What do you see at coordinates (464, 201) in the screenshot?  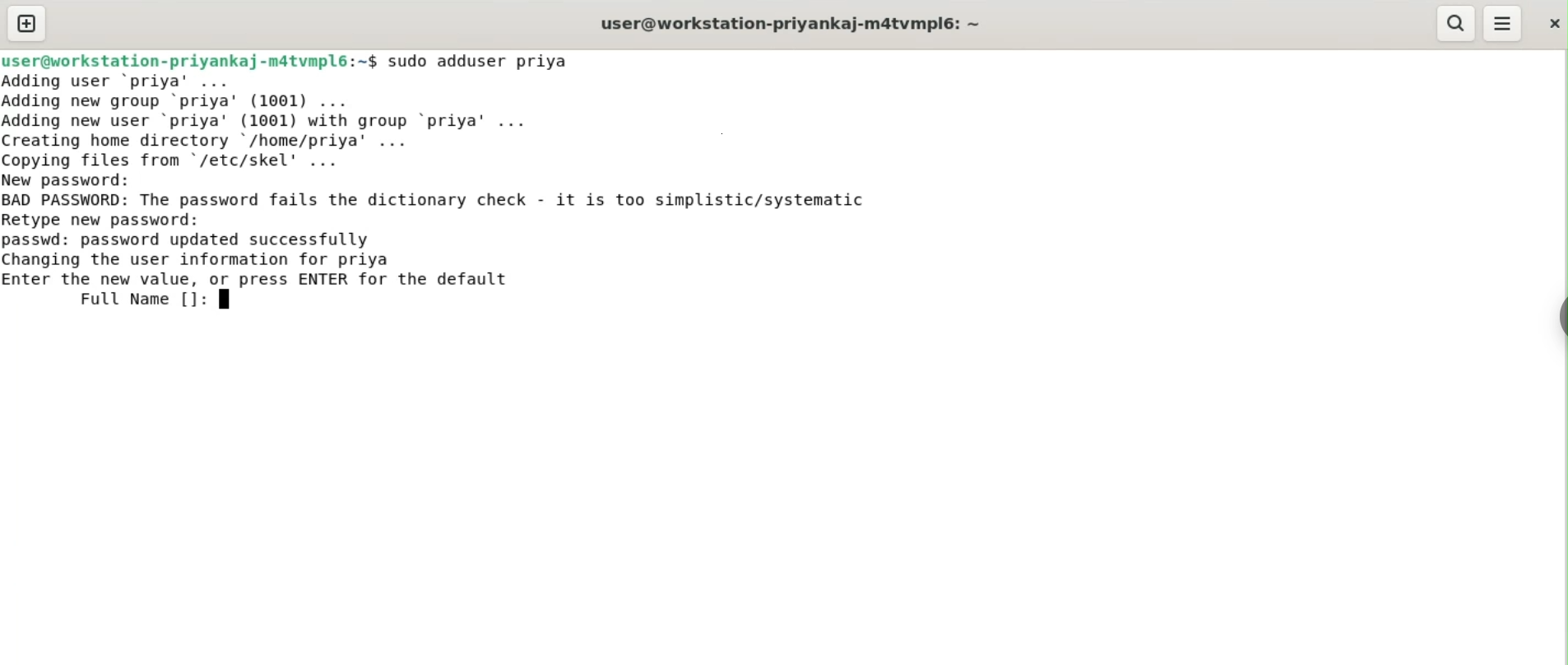 I see `BAD PASSWORD: The password fails the dictionary check. it is too simplistic/systematic` at bounding box center [464, 201].